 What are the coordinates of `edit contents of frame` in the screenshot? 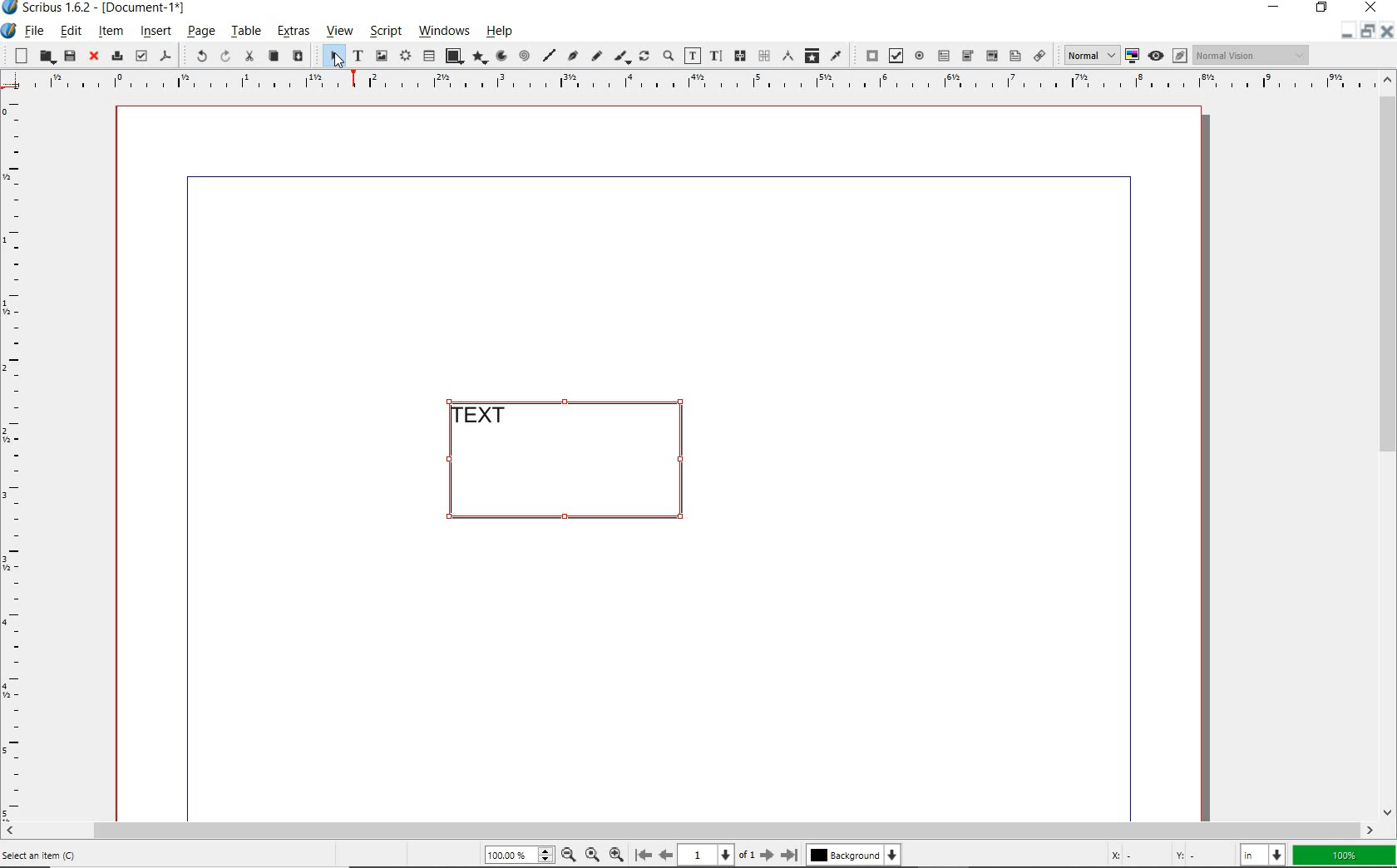 It's located at (692, 57).